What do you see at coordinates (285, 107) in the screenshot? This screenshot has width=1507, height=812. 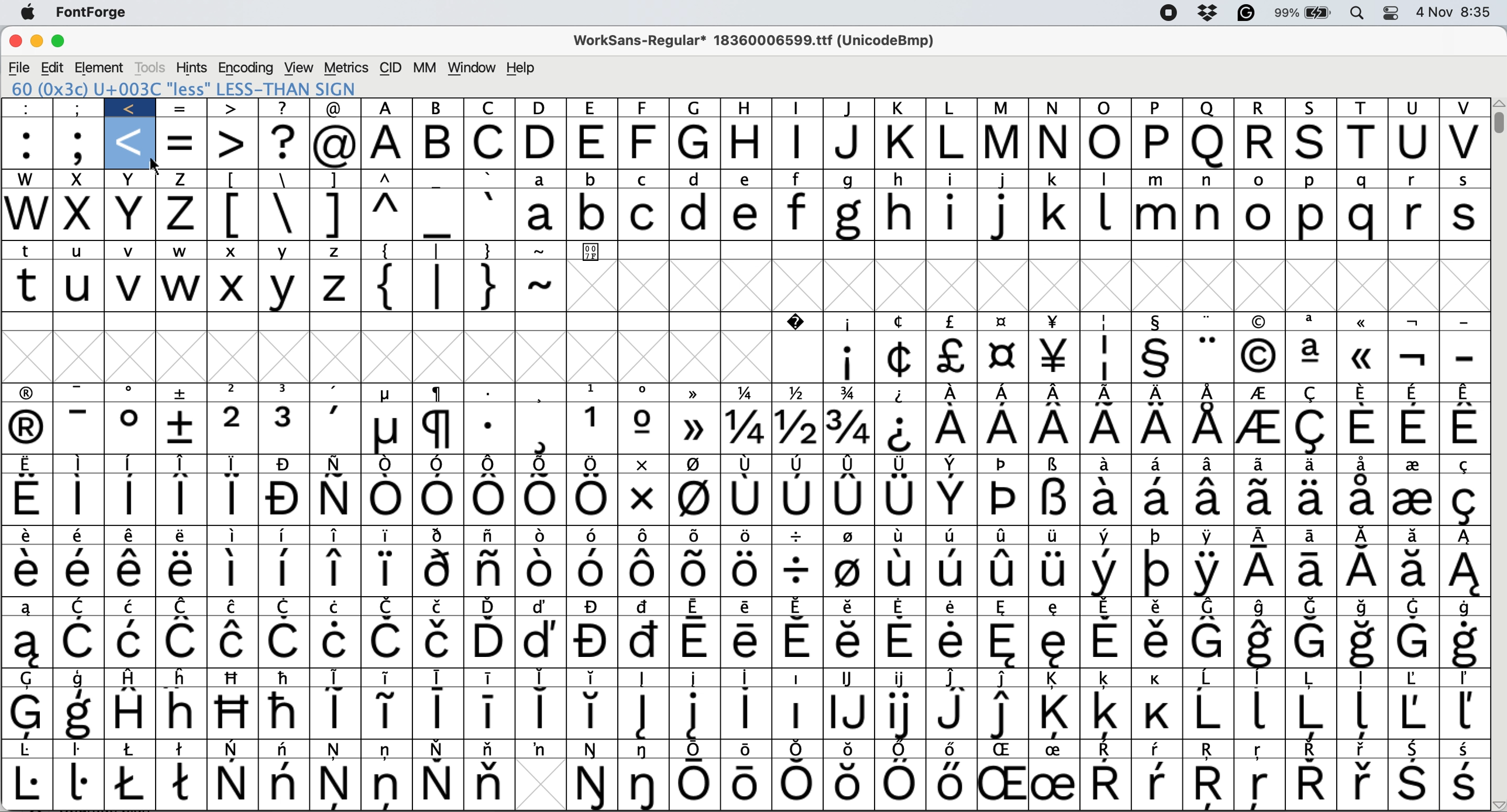 I see `?` at bounding box center [285, 107].